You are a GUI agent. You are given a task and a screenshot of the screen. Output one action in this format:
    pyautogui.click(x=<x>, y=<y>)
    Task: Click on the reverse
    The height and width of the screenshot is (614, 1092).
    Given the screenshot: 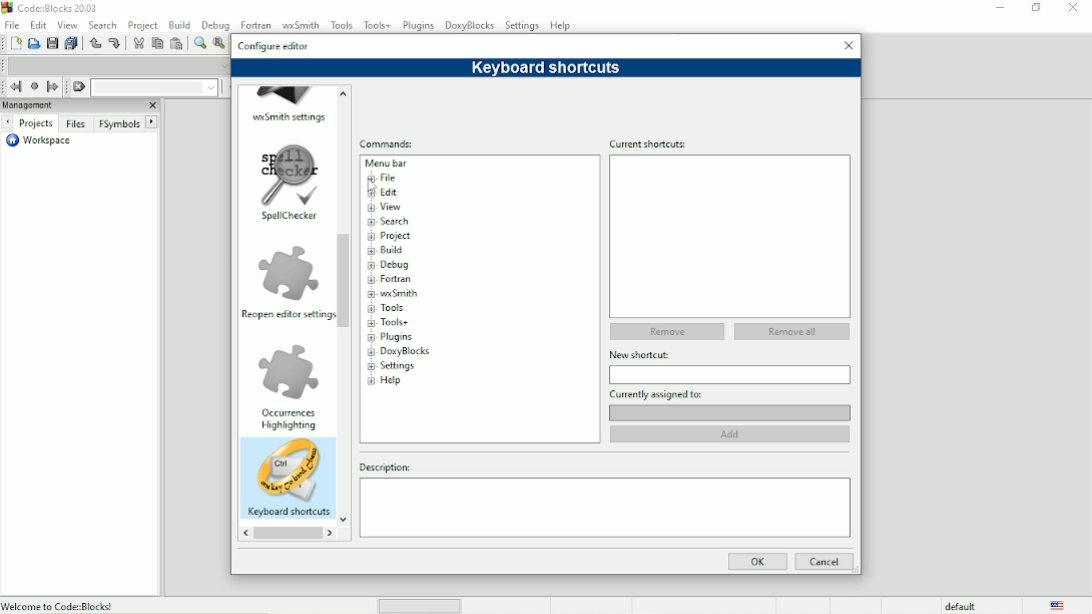 What is the action you would take?
    pyautogui.click(x=244, y=534)
    